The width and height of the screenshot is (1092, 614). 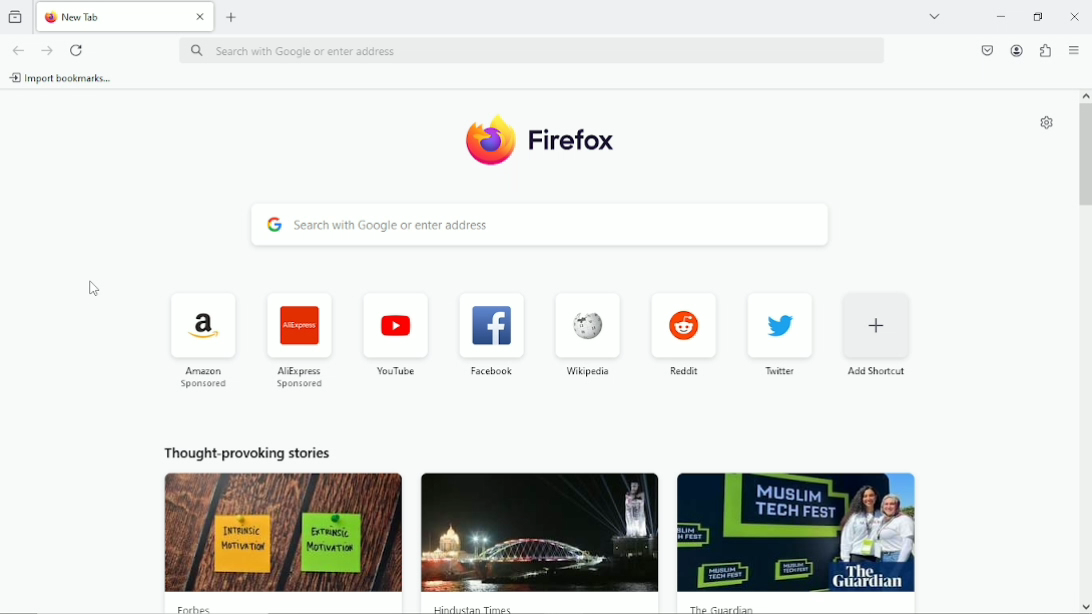 What do you see at coordinates (1085, 95) in the screenshot?
I see `scroll up` at bounding box center [1085, 95].